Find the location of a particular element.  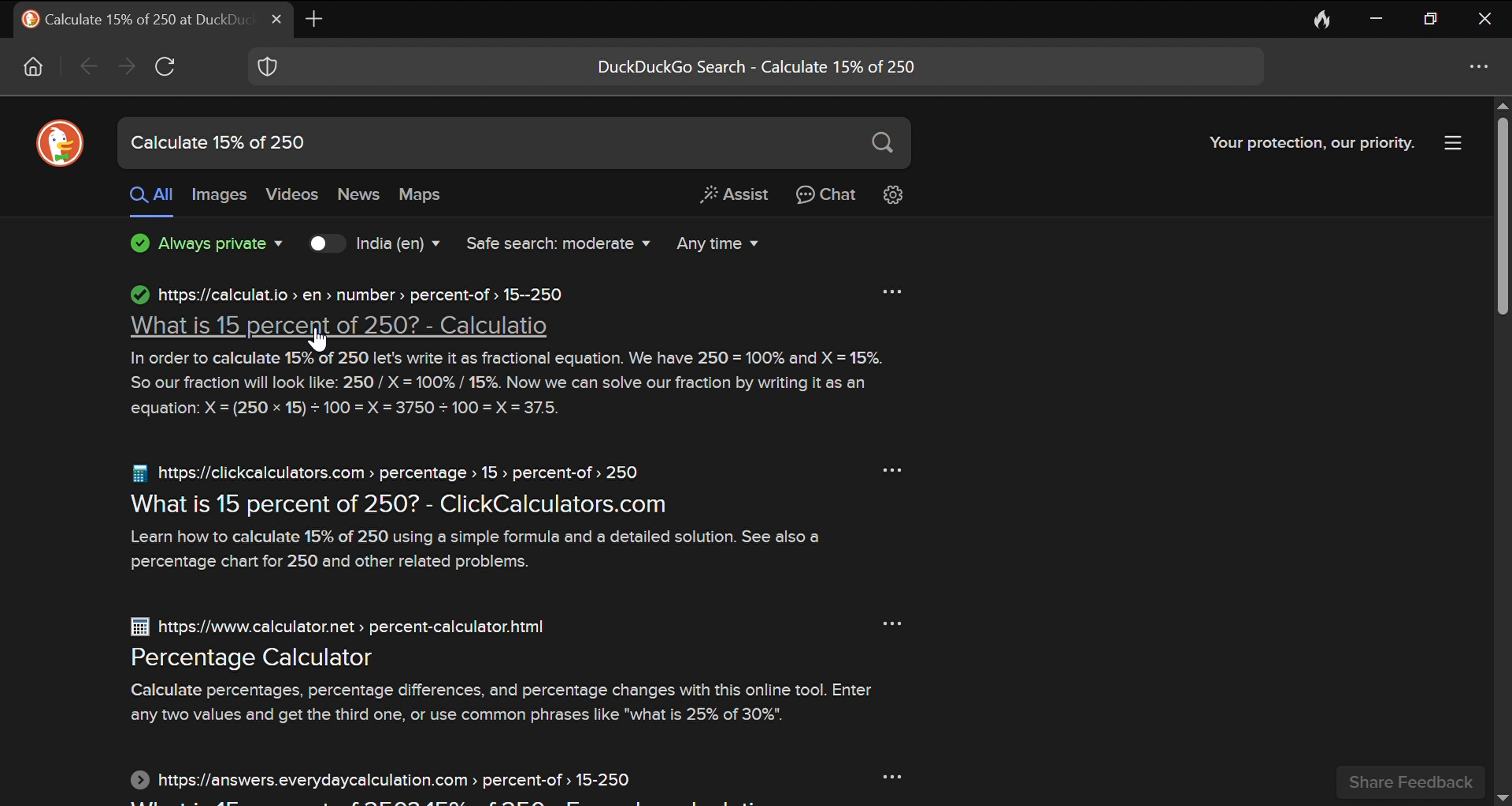

Home is located at coordinates (35, 67).